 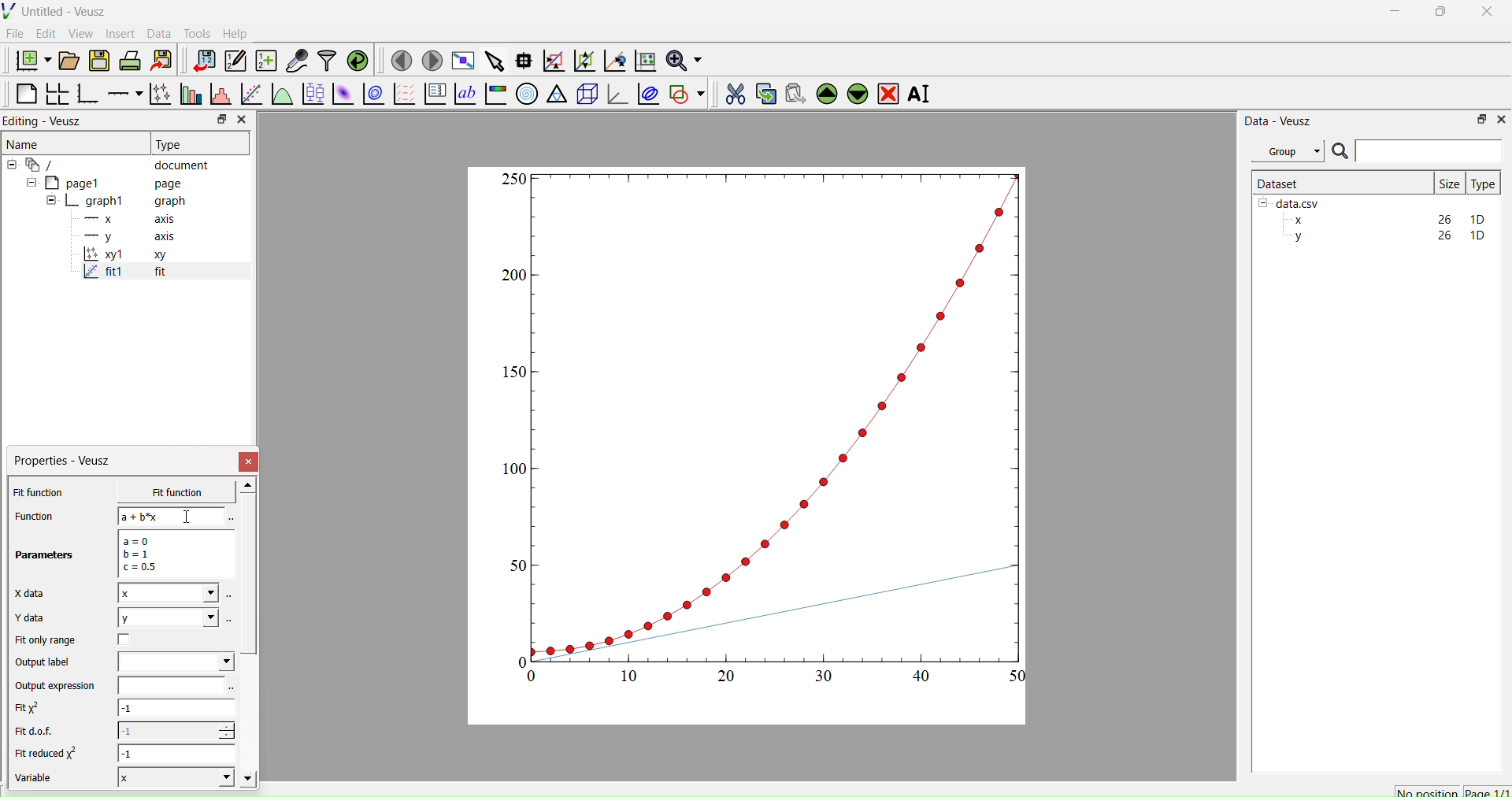 I want to click on Select using dataset browser, so click(x=230, y=599).